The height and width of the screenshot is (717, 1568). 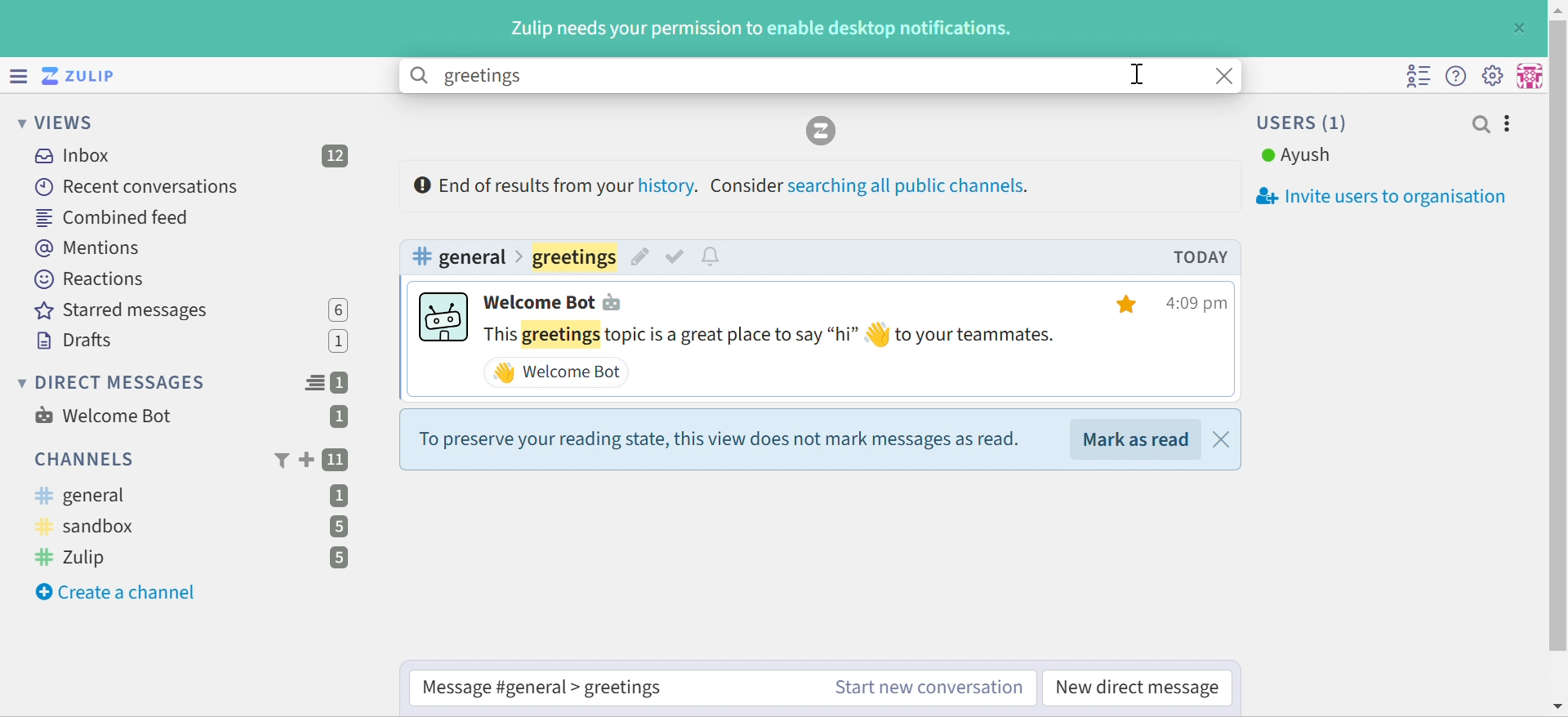 I want to click on Personal menu, so click(x=1531, y=74).